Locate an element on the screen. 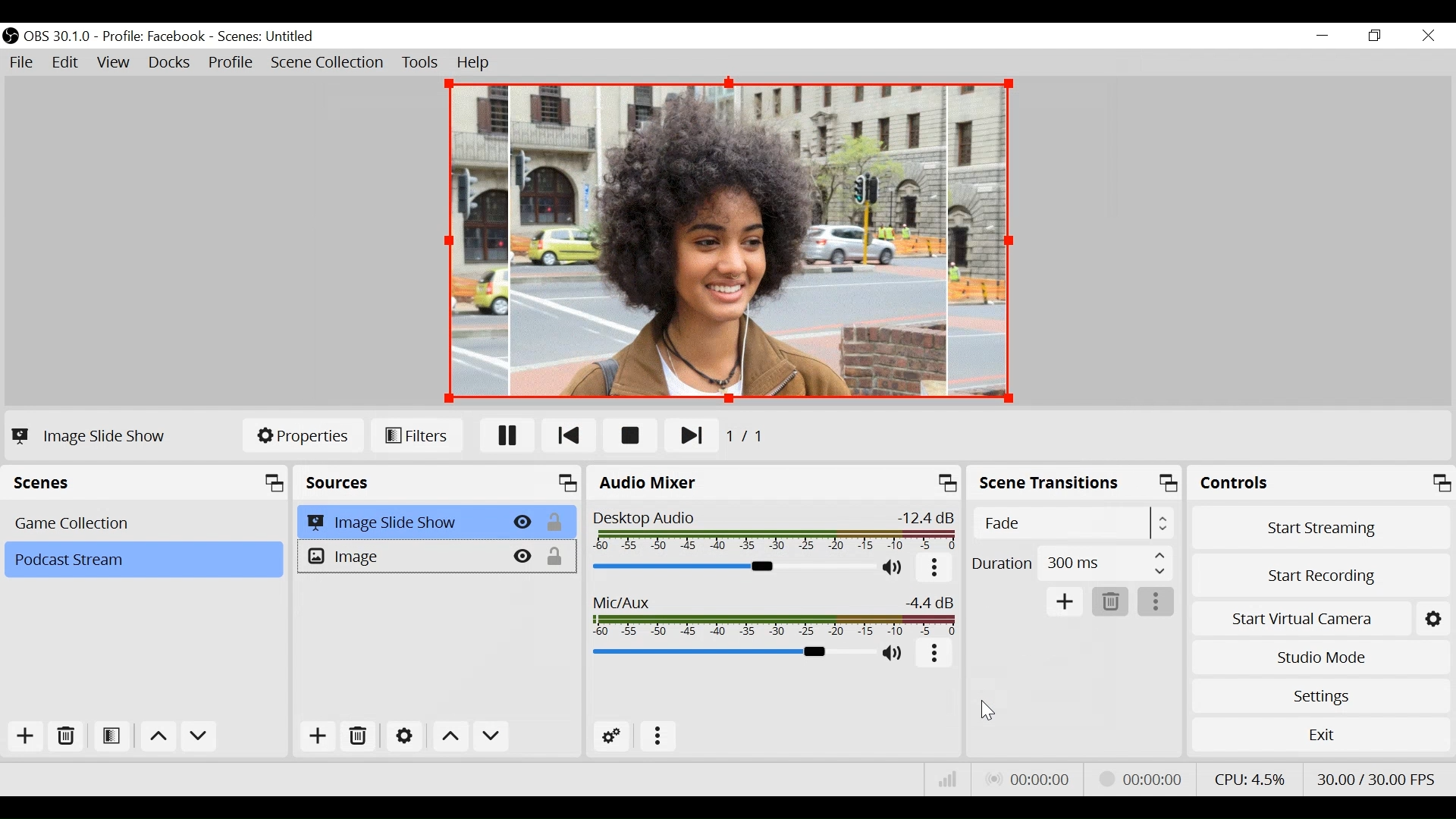 The image size is (1456, 819). (un)mute is located at coordinates (894, 567).